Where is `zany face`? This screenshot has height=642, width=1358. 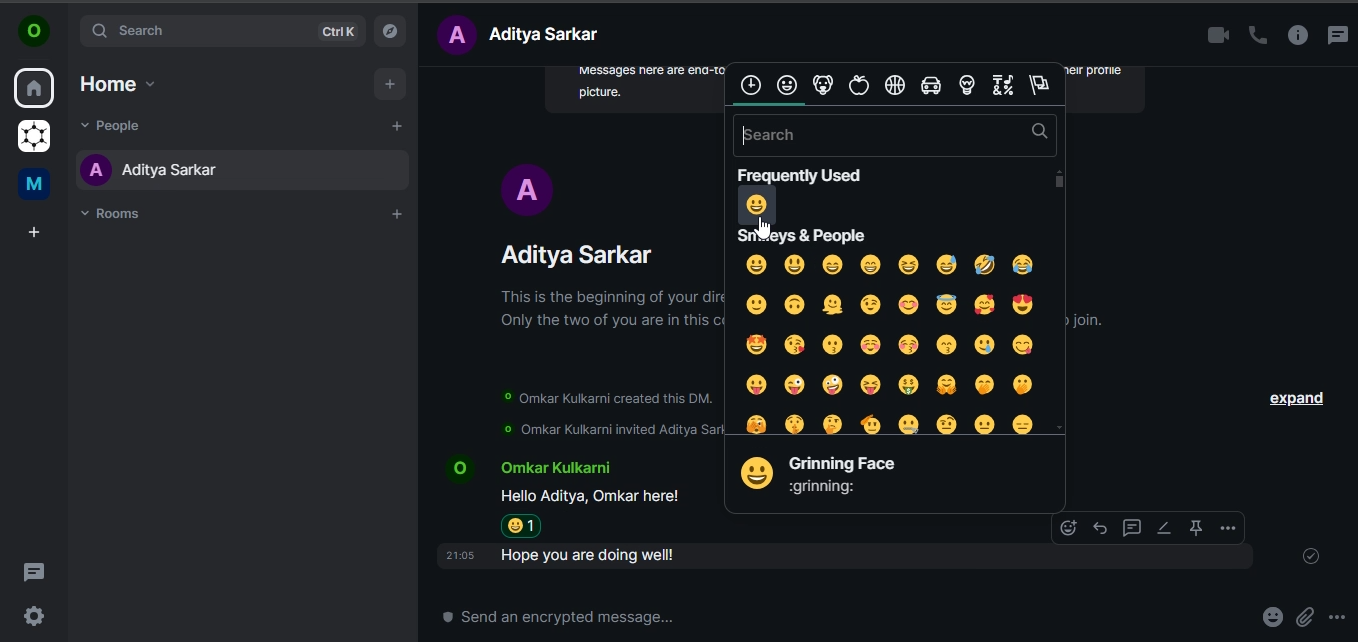 zany face is located at coordinates (833, 383).